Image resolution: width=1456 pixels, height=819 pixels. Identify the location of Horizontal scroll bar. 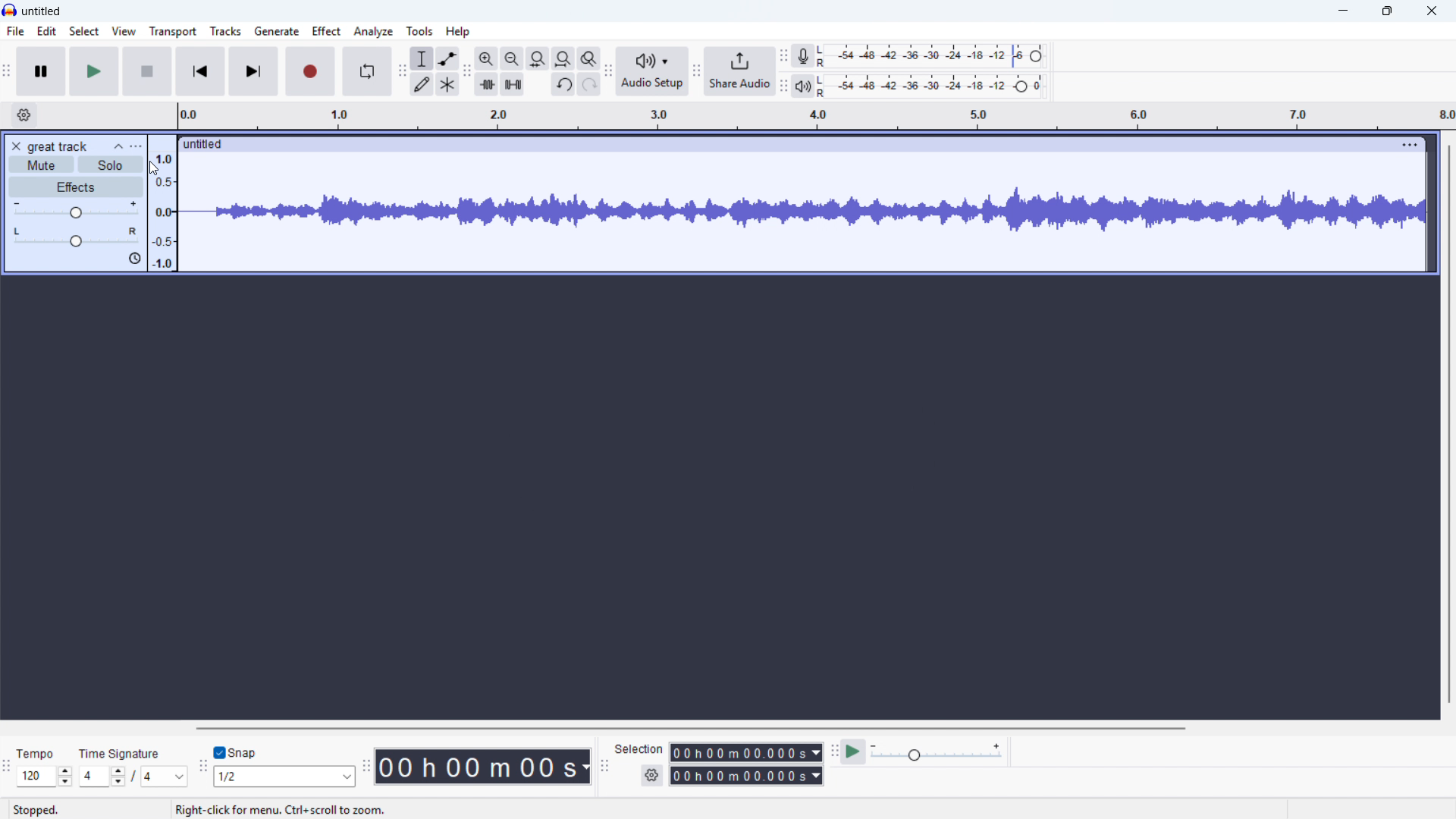
(809, 729).